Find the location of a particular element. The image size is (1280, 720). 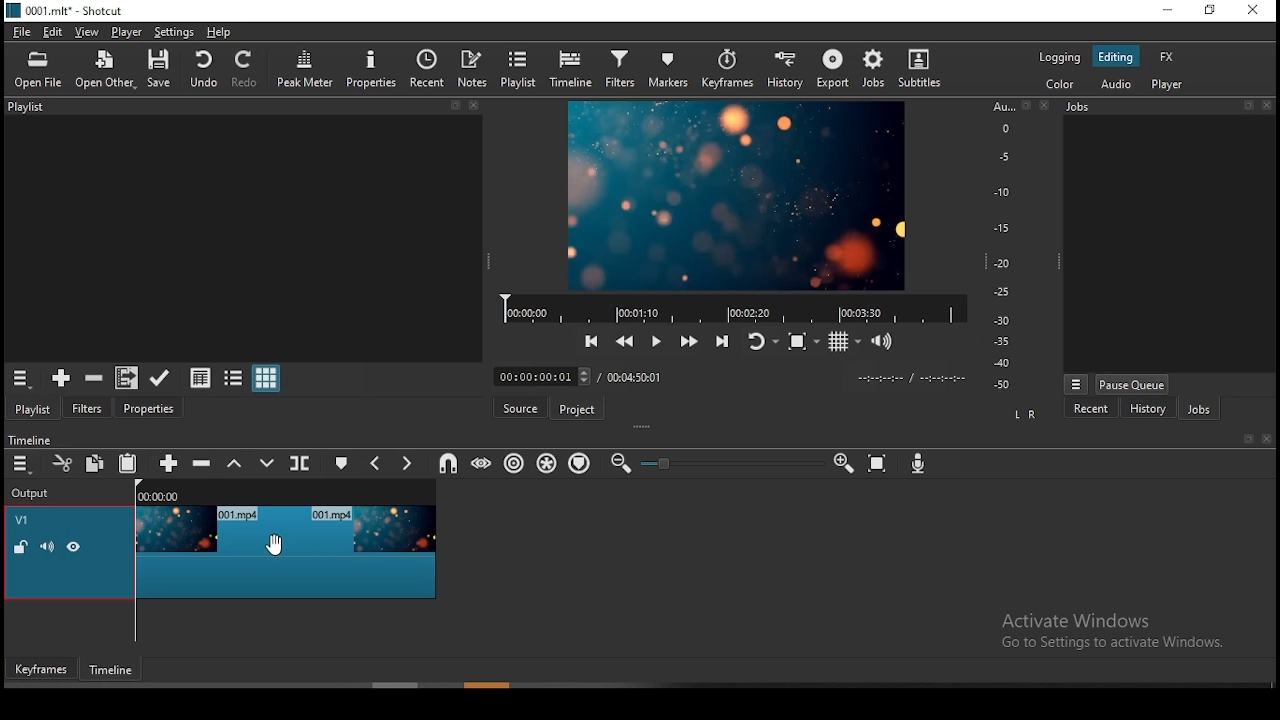

next marker is located at coordinates (406, 461).